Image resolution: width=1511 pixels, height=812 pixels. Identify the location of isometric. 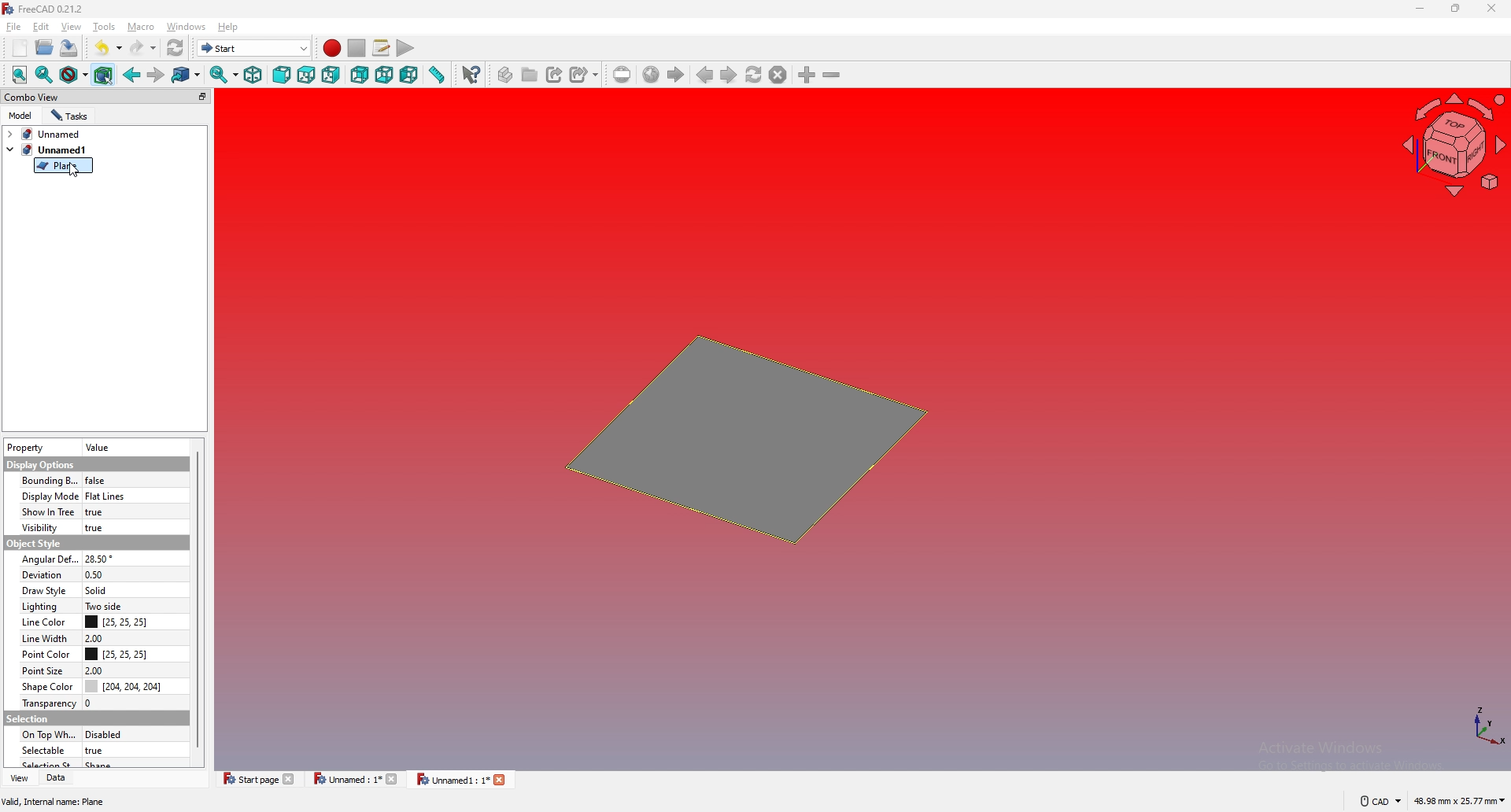
(253, 75).